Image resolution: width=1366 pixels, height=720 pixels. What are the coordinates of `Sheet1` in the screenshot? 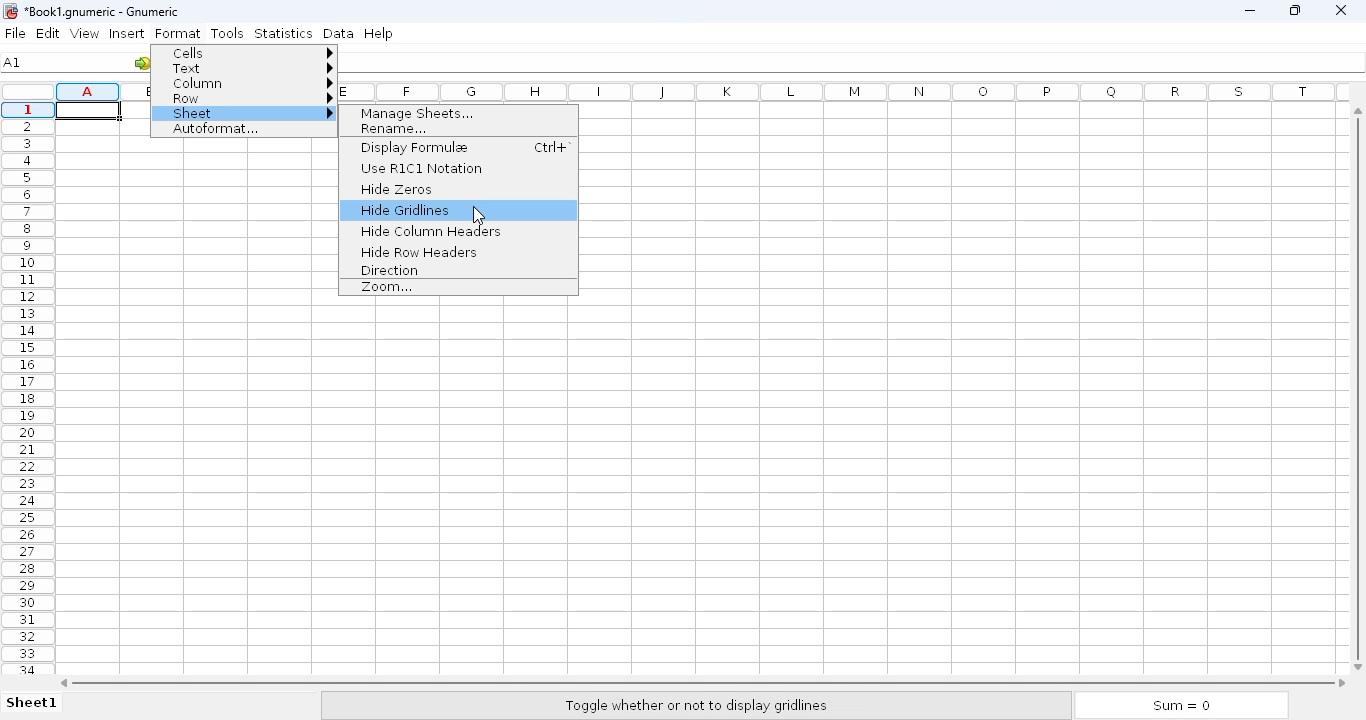 It's located at (34, 704).